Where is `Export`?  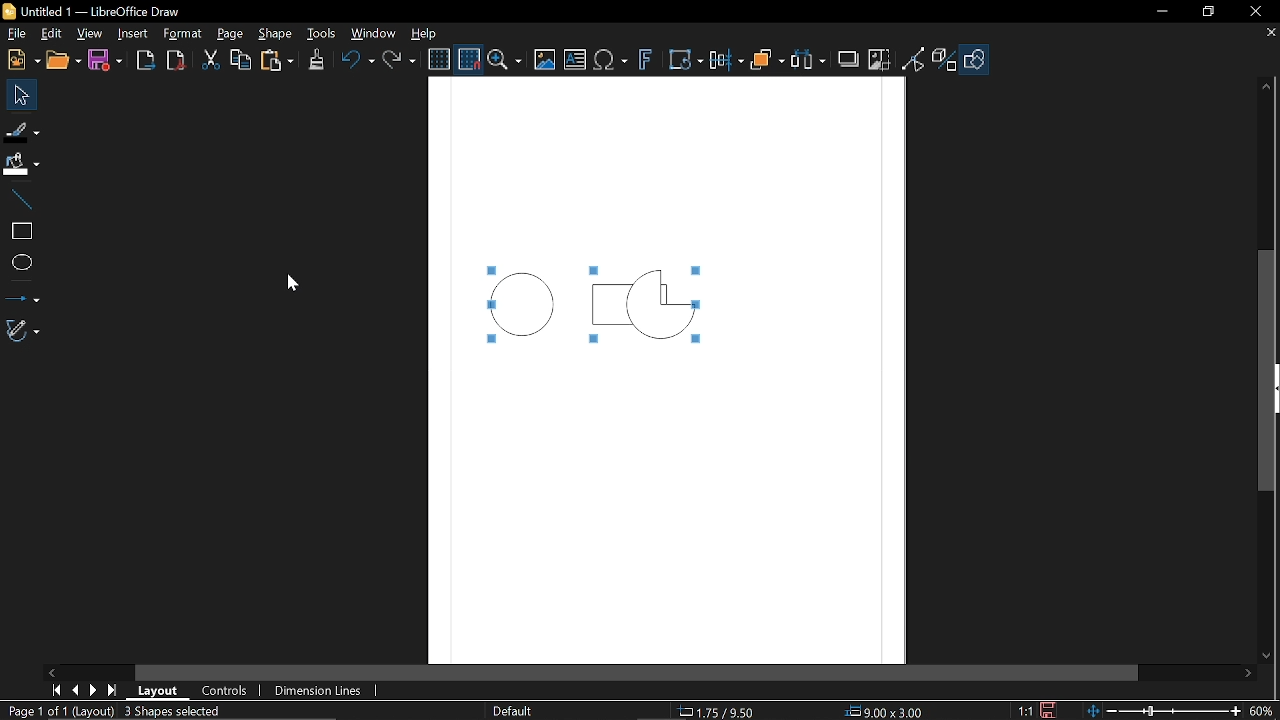 Export is located at coordinates (146, 59).